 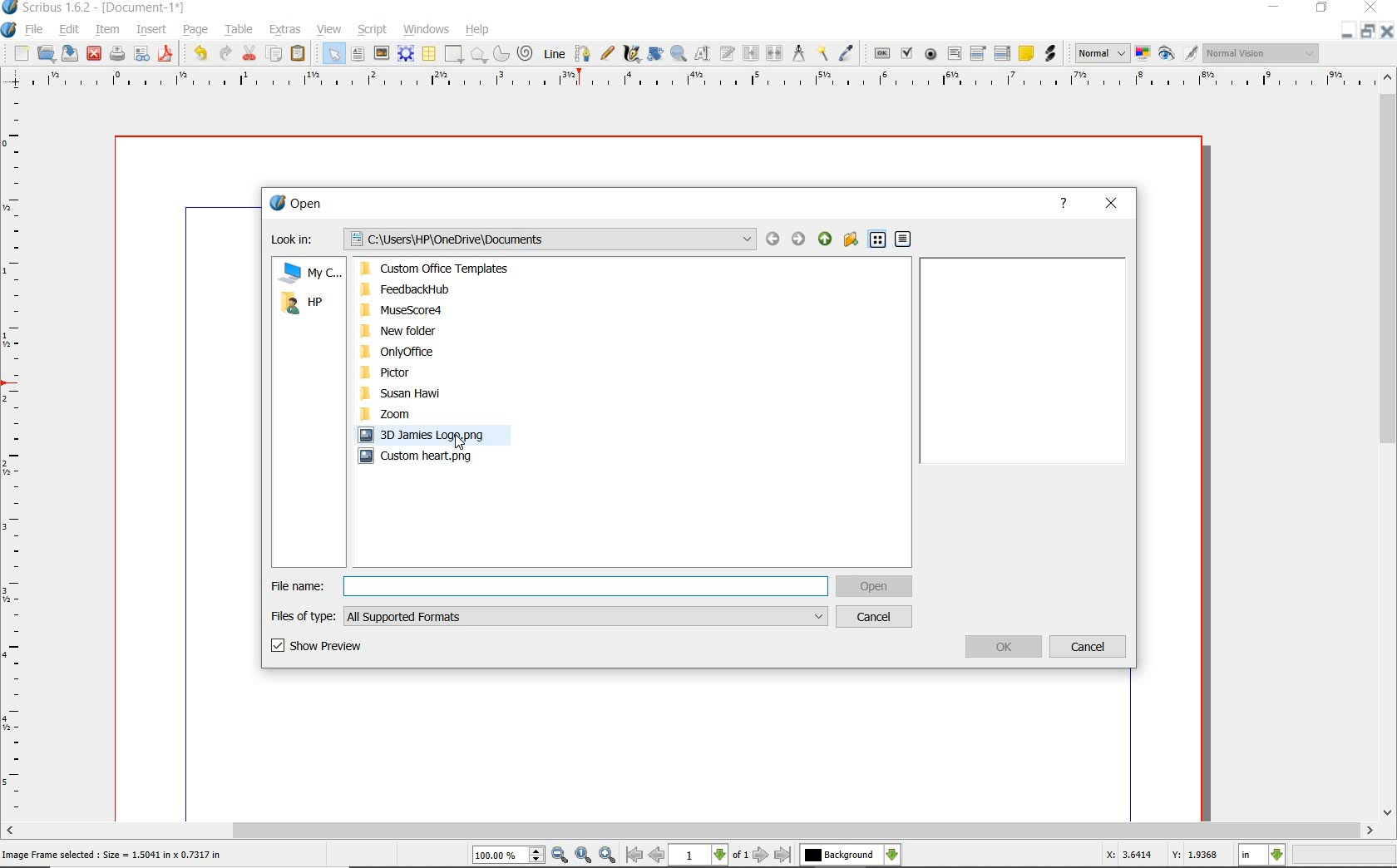 What do you see at coordinates (931, 55) in the screenshot?
I see `pdf radio box` at bounding box center [931, 55].